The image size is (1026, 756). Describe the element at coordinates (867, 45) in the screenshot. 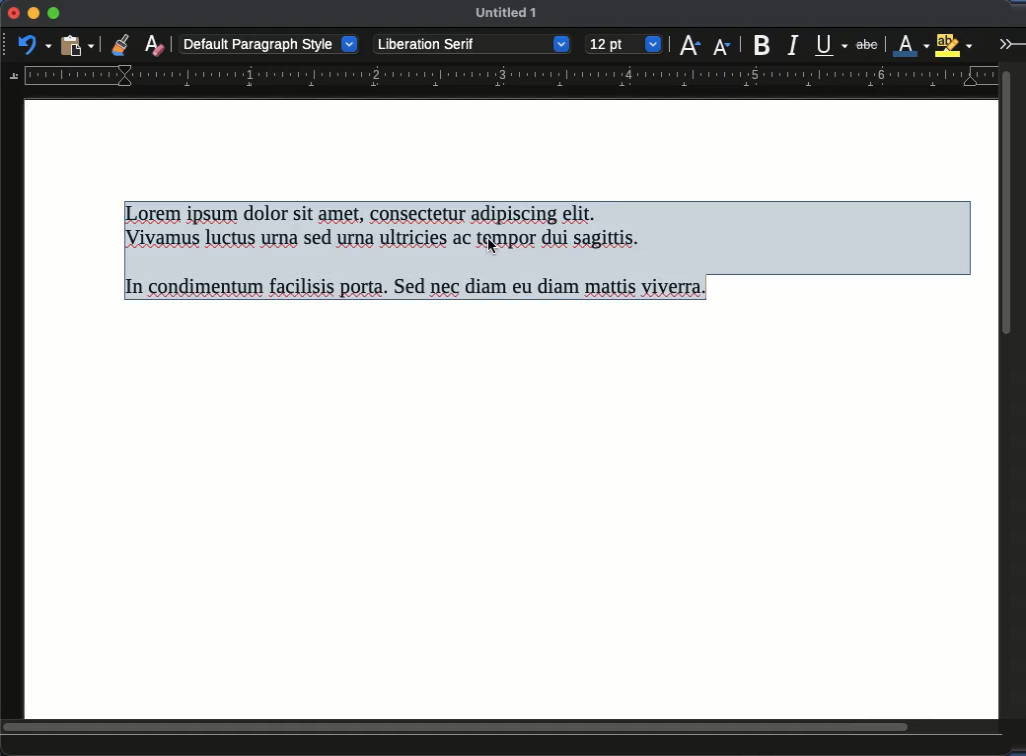

I see `strikethrough` at that location.